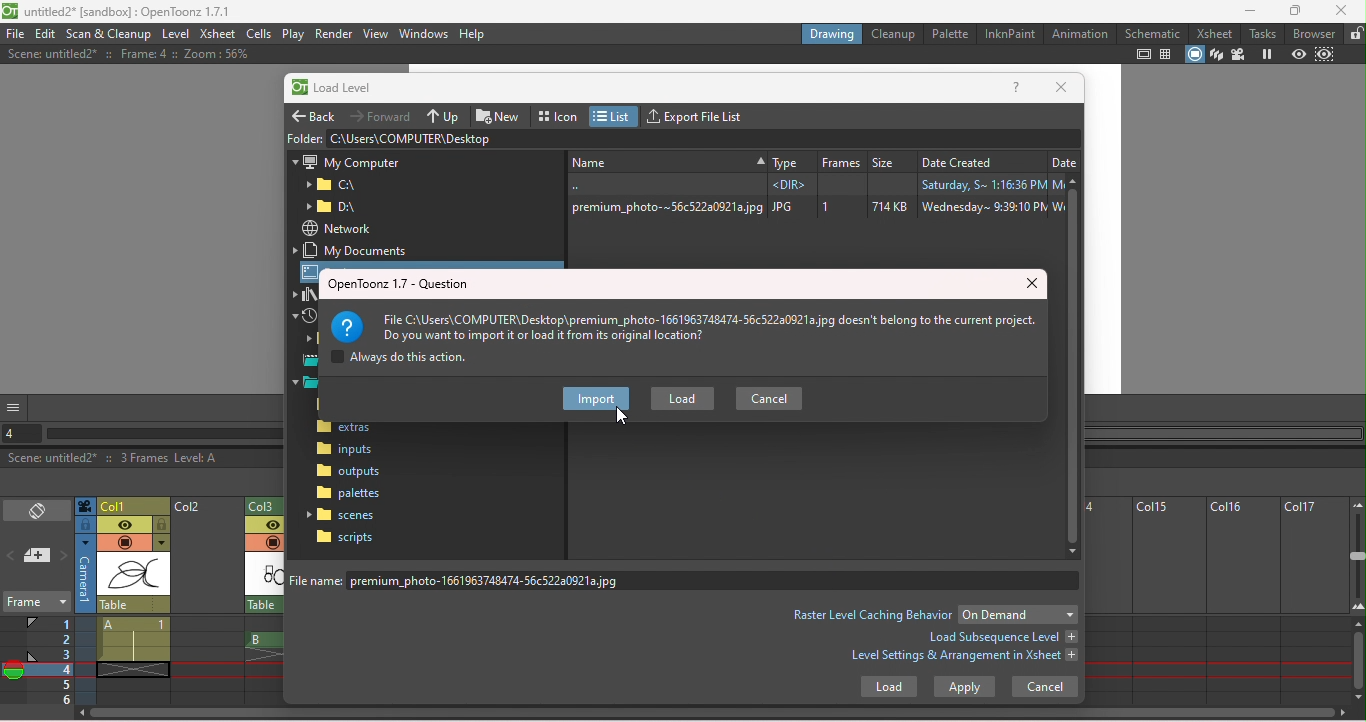 This screenshot has height=722, width=1366. I want to click on Camera view, so click(1238, 55).